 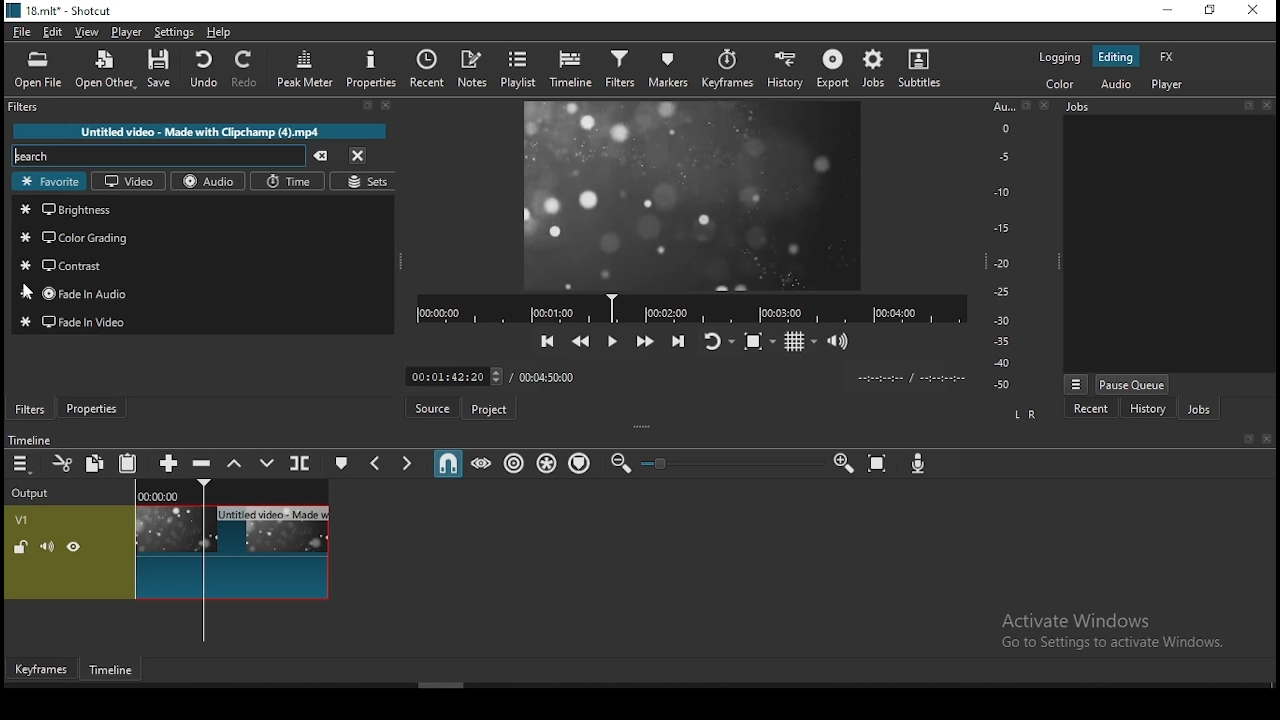 What do you see at coordinates (161, 154) in the screenshot?
I see `search` at bounding box center [161, 154].